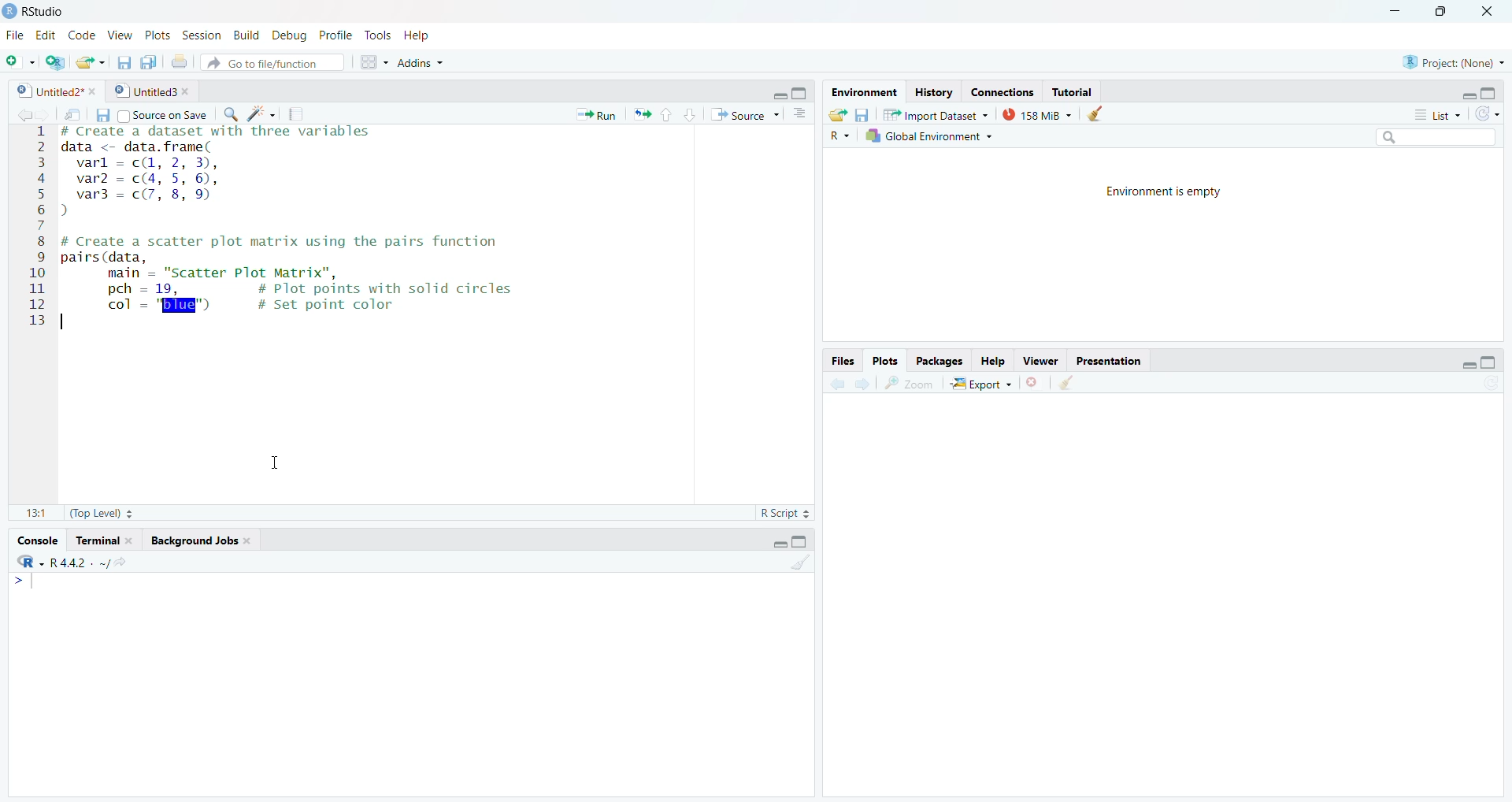 The width and height of the screenshot is (1512, 802). I want to click on R Script 3, so click(788, 512).